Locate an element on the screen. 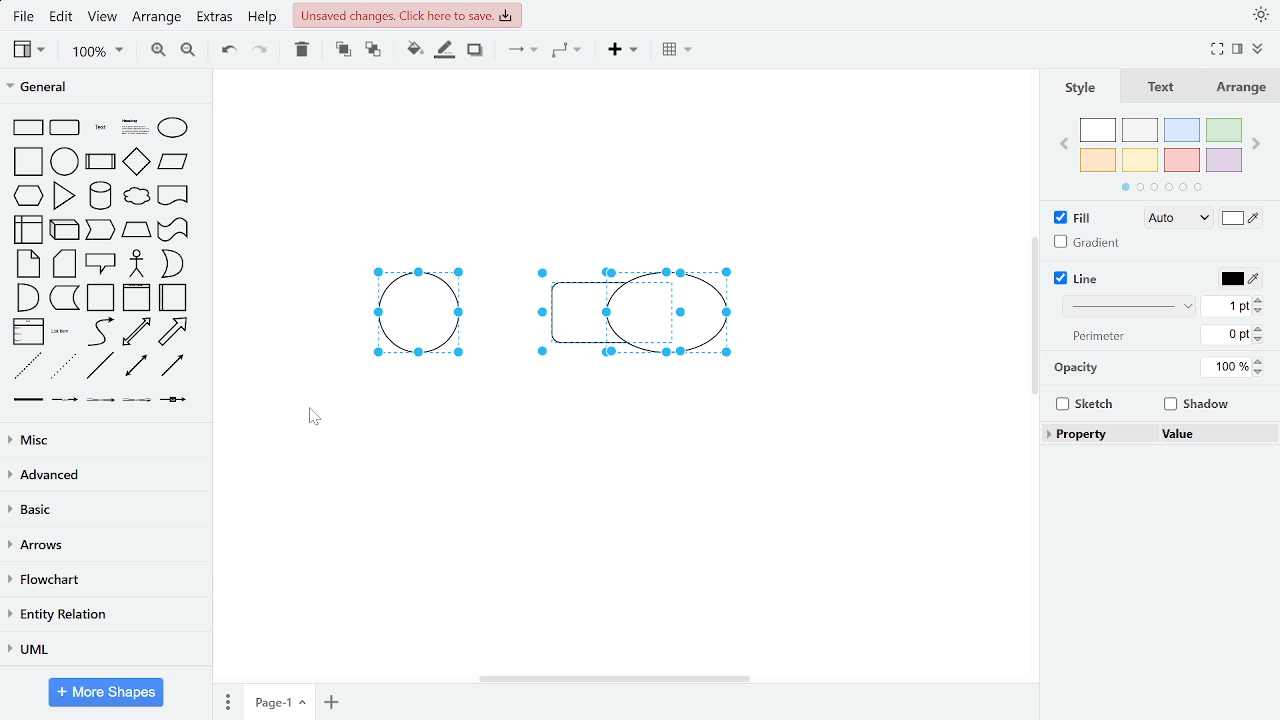  curve is located at coordinates (99, 332).